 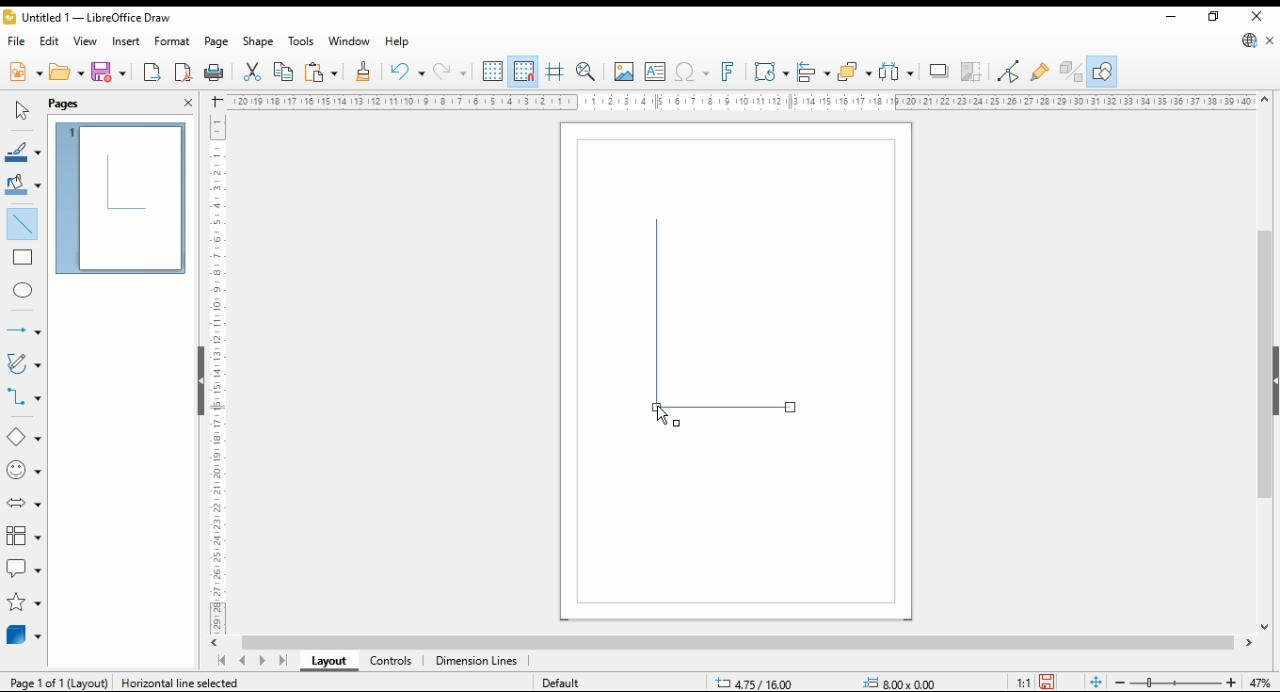 What do you see at coordinates (854, 71) in the screenshot?
I see `arrange` at bounding box center [854, 71].